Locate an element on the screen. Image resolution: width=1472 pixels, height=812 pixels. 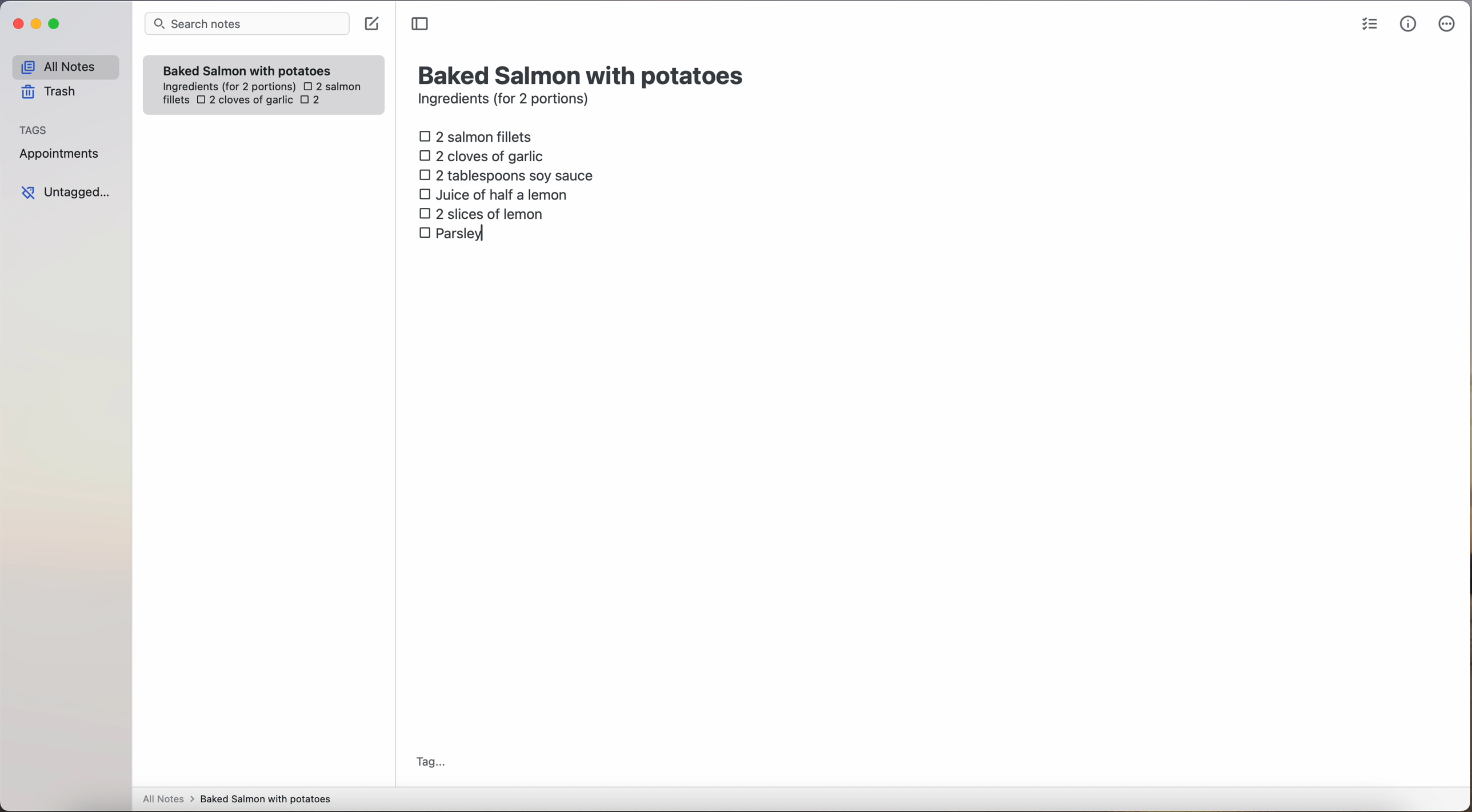
fillets is located at coordinates (177, 101).